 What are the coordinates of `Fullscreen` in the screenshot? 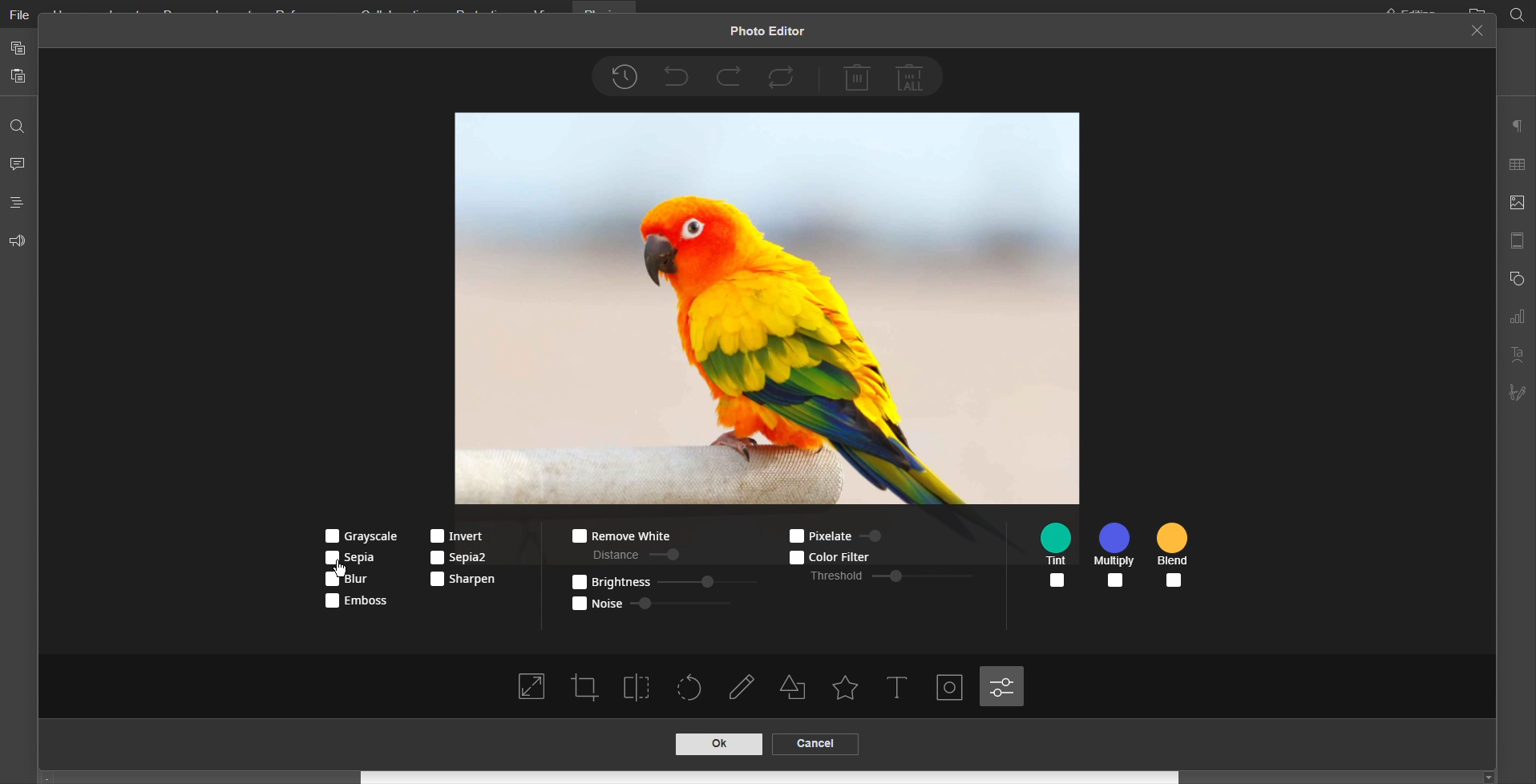 It's located at (531, 689).